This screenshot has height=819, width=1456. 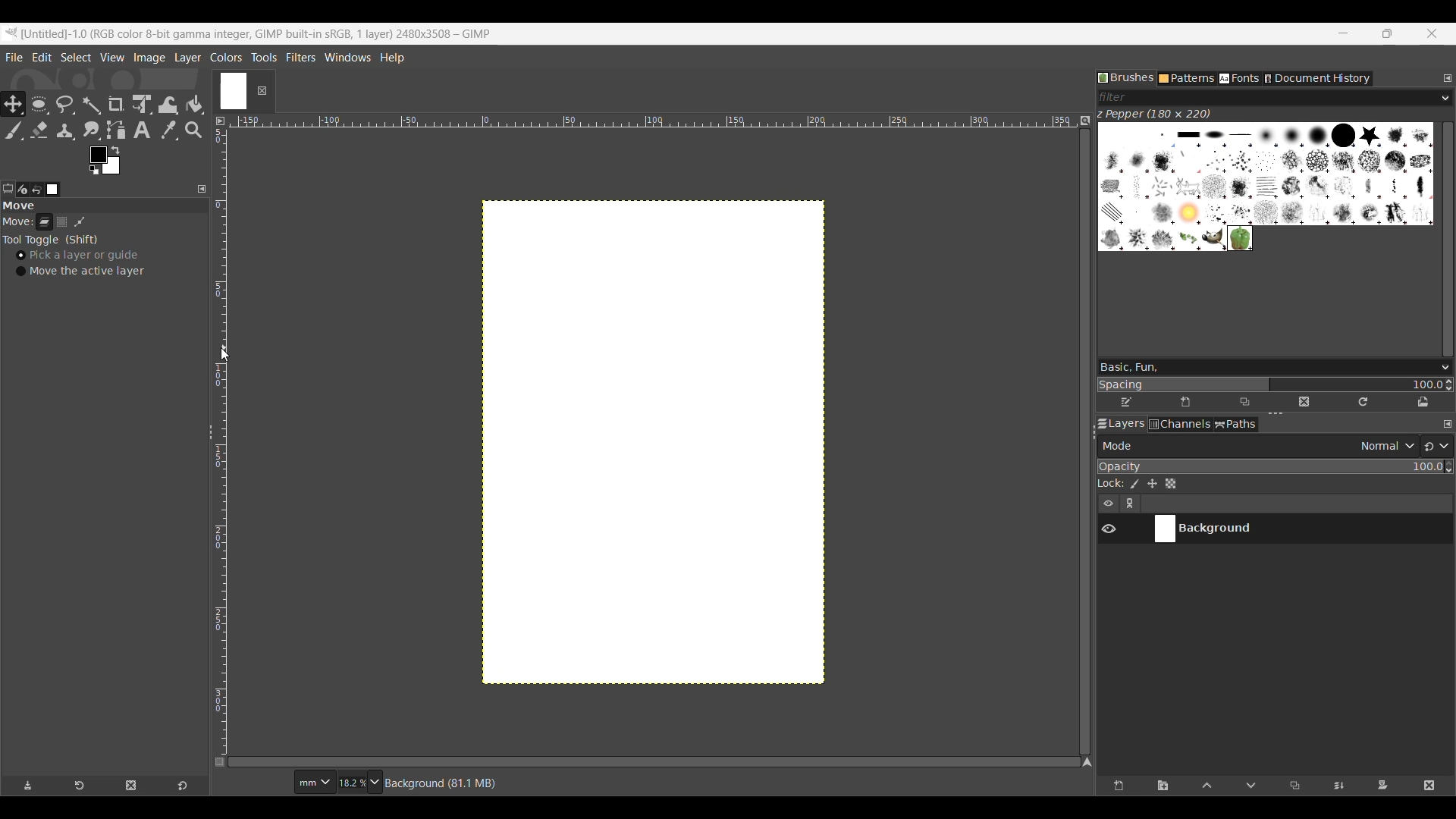 I want to click on Canvas details, so click(x=442, y=784).